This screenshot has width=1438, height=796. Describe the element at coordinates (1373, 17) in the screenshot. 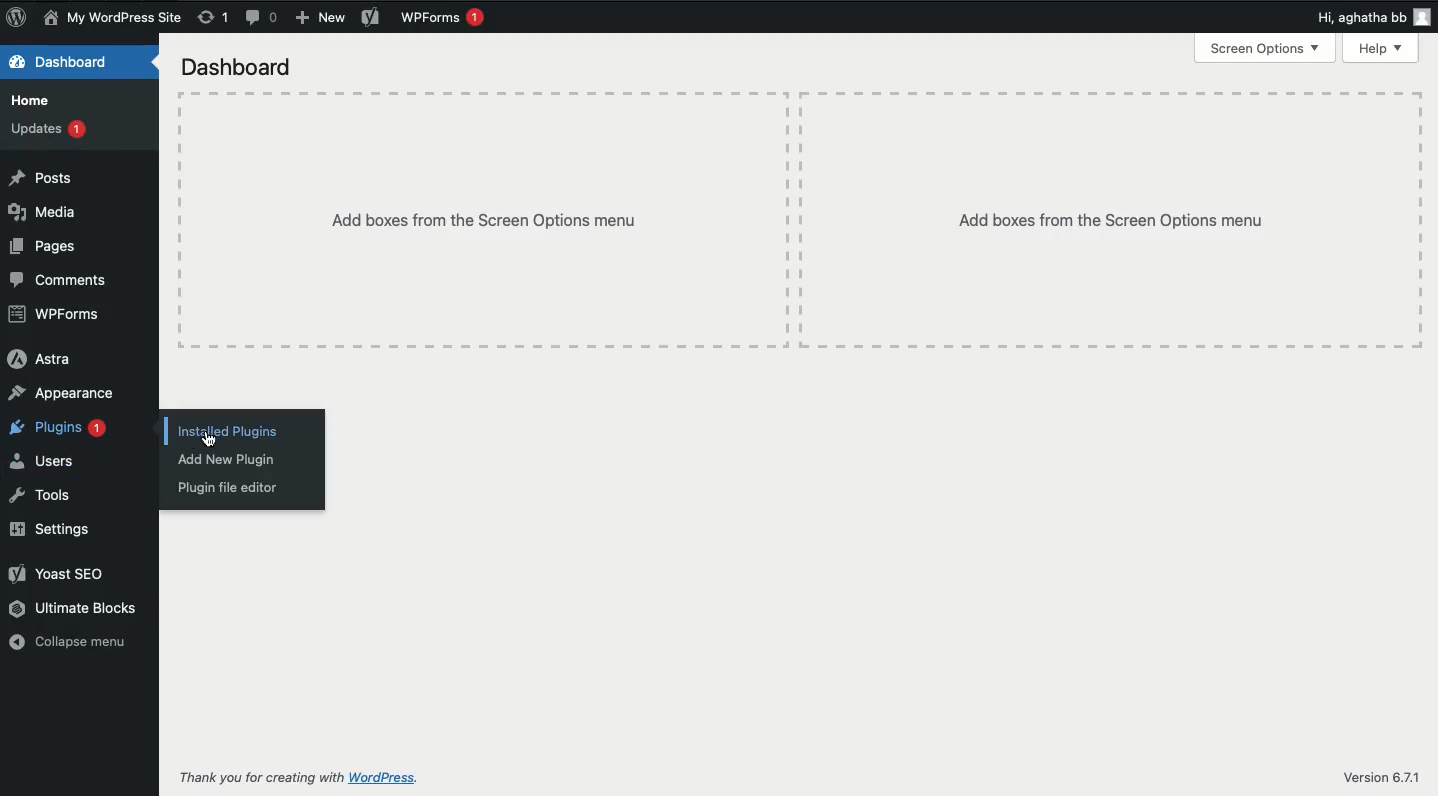

I see `Hi user` at that location.